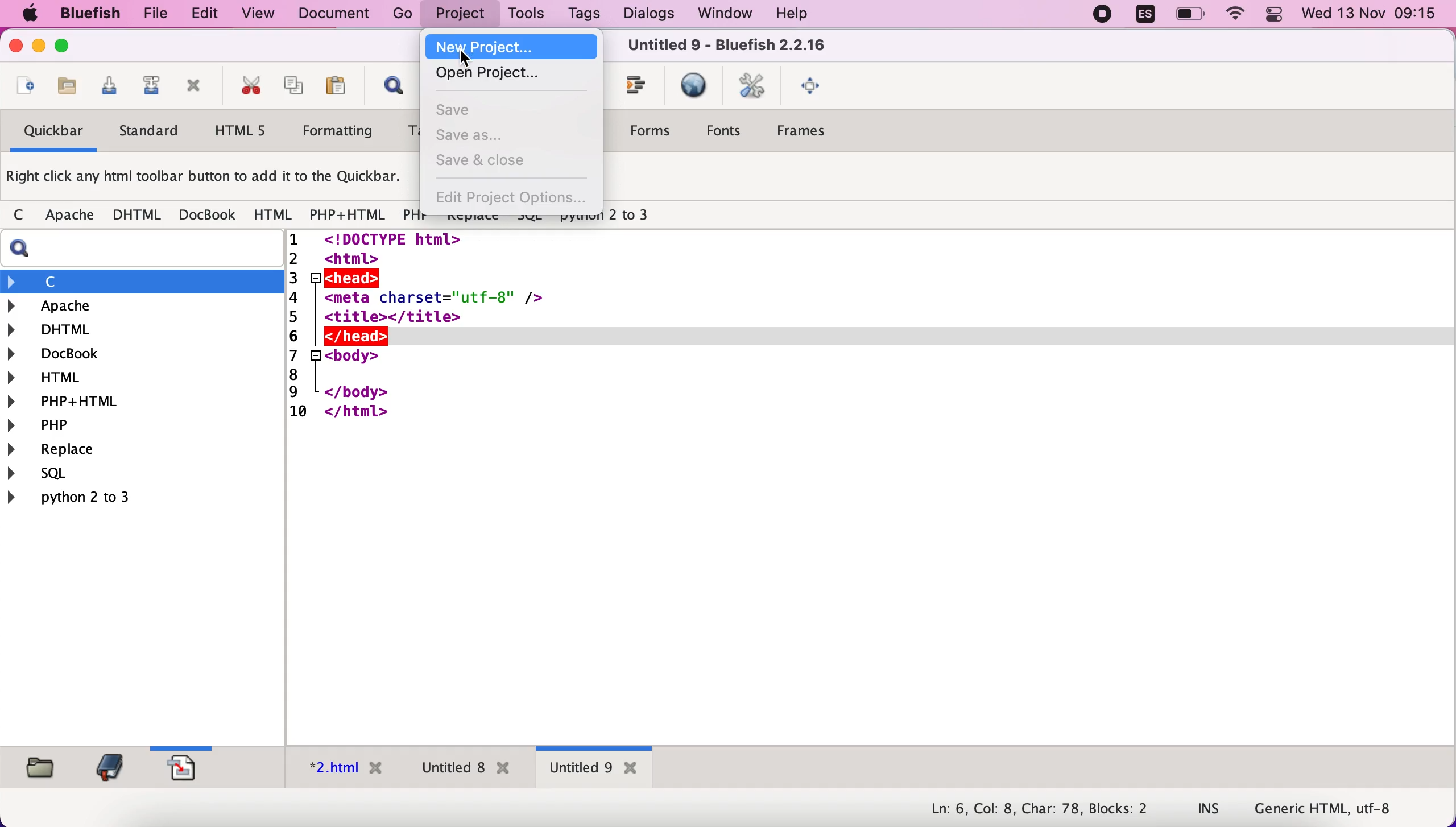 The width and height of the screenshot is (1456, 827). I want to click on battery, so click(1192, 15).